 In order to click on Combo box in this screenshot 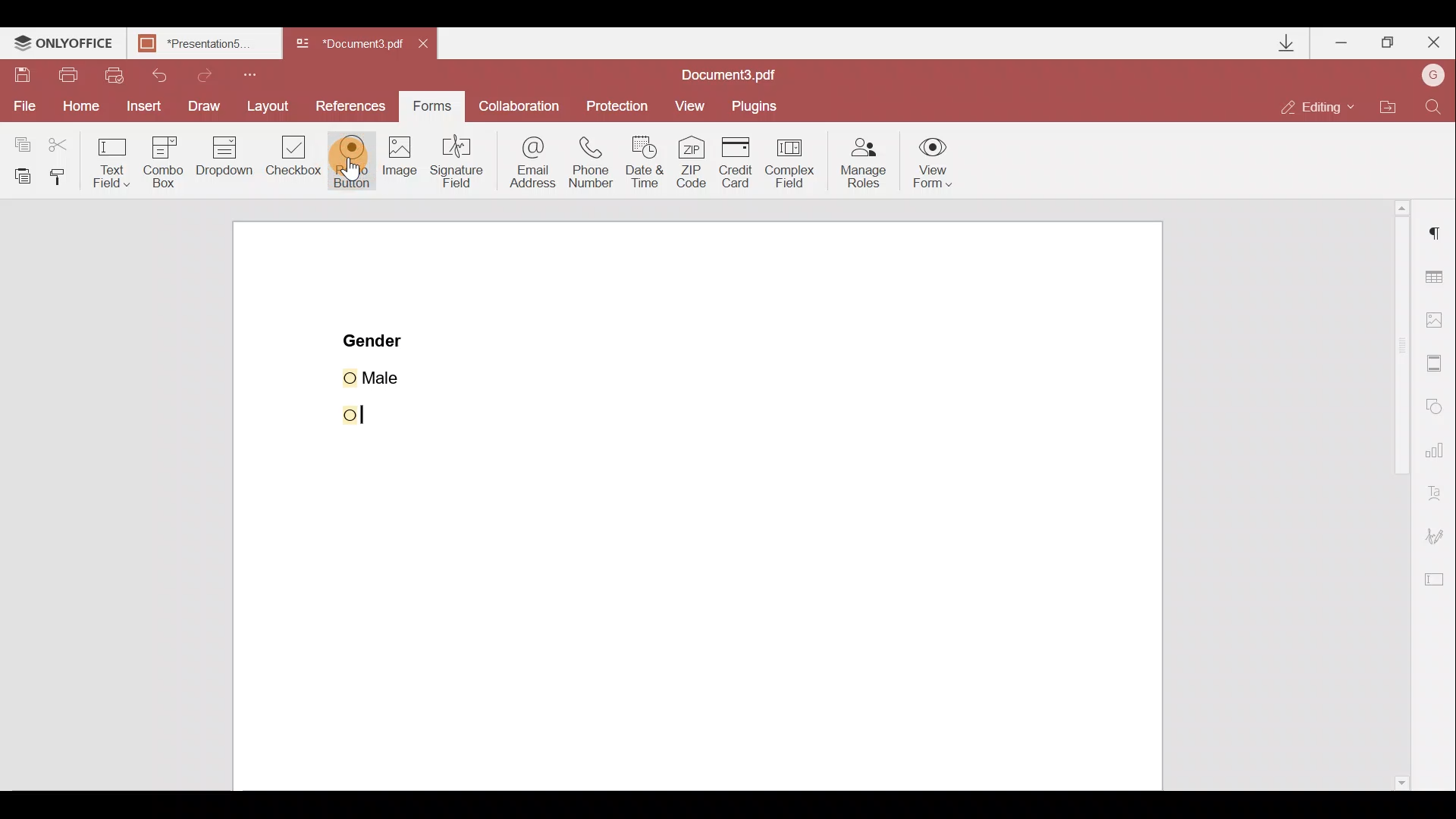, I will do `click(160, 160)`.